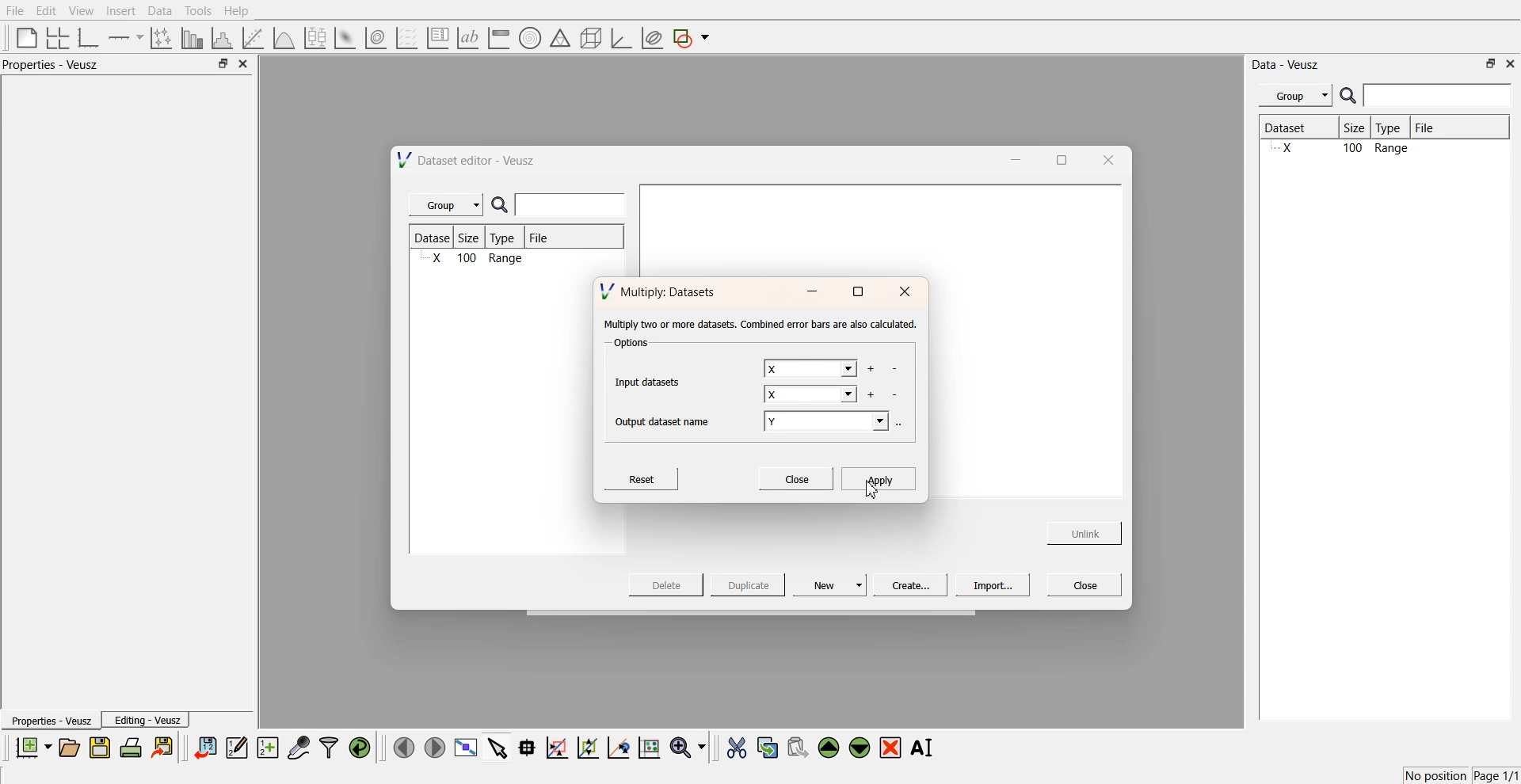 The width and height of the screenshot is (1521, 784). What do you see at coordinates (1359, 129) in the screenshot?
I see `Size` at bounding box center [1359, 129].